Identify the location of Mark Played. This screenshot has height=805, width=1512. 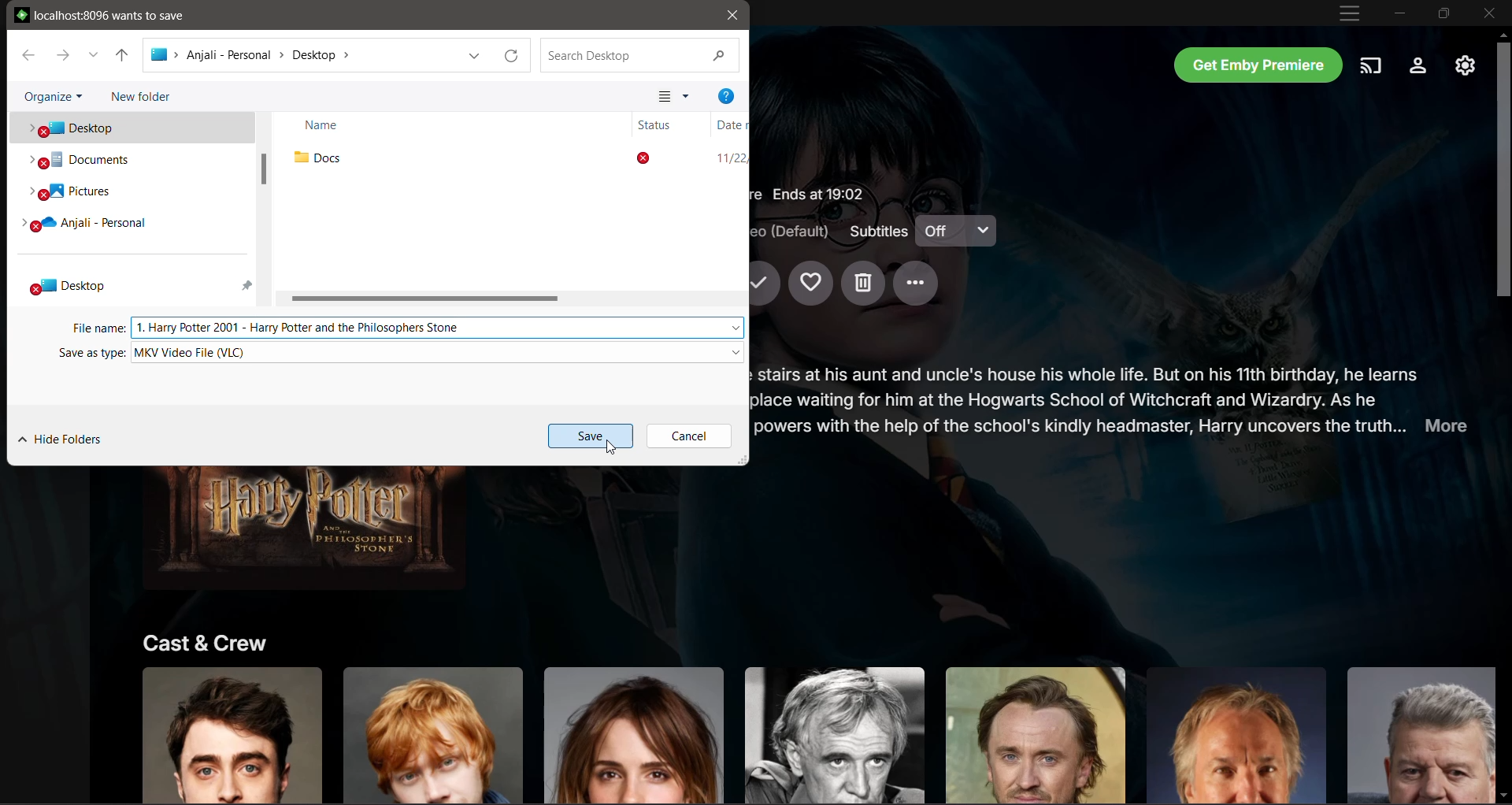
(766, 284).